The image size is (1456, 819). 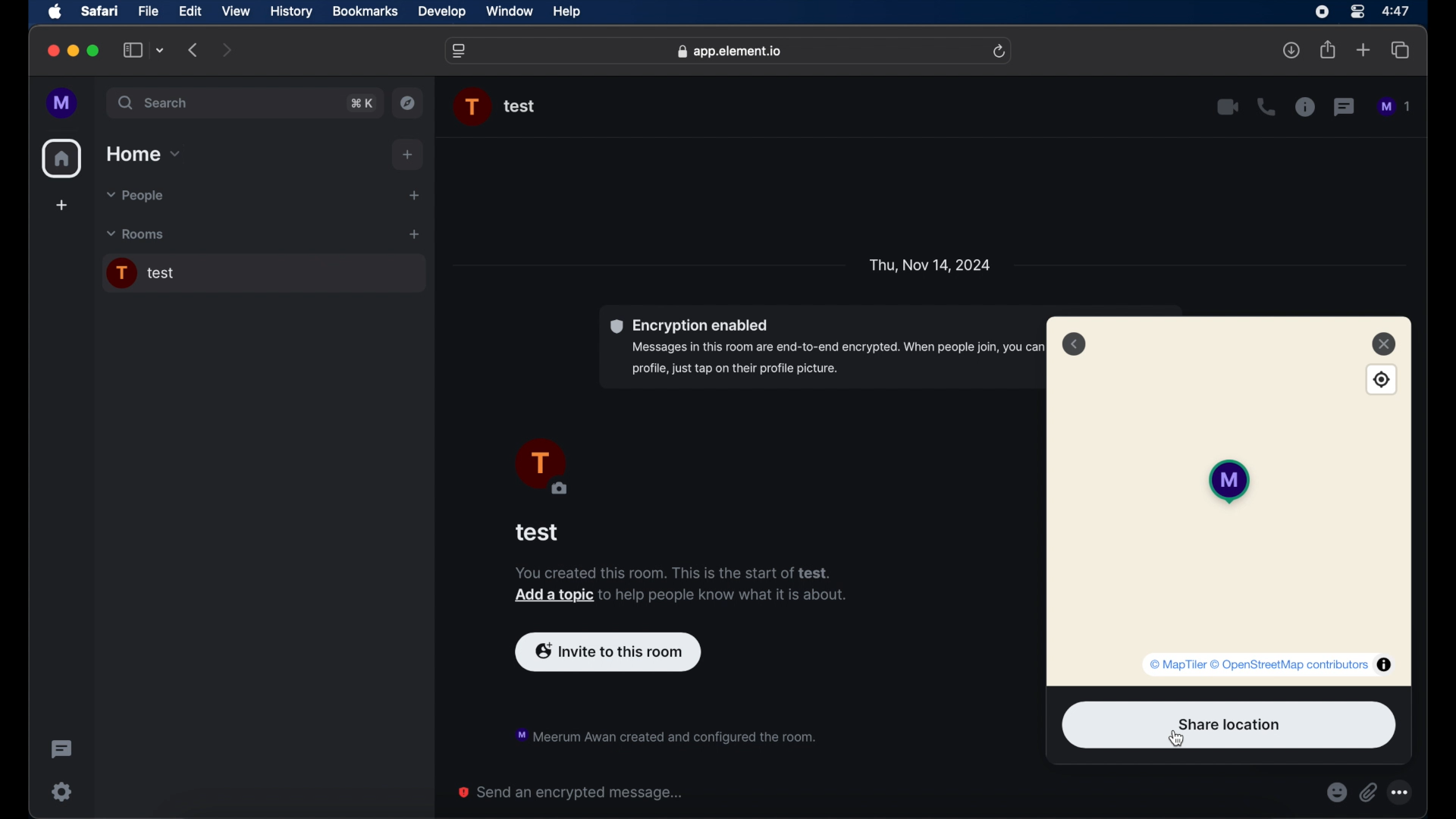 What do you see at coordinates (1181, 741) in the screenshot?
I see `Cursor` at bounding box center [1181, 741].